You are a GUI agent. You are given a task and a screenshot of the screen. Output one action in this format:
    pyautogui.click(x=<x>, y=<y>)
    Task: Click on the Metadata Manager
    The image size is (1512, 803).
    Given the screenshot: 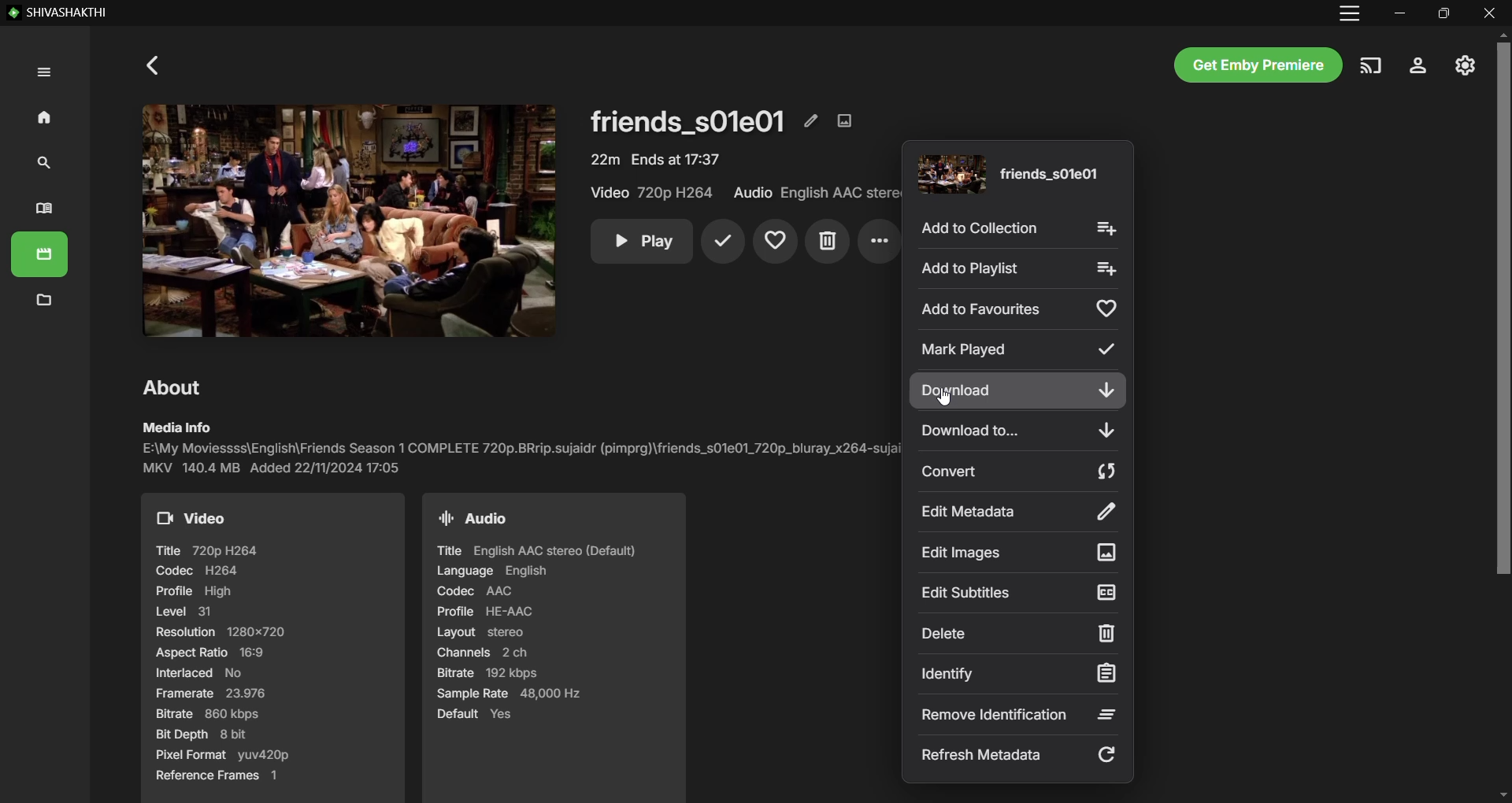 What is the action you would take?
    pyautogui.click(x=43, y=302)
    